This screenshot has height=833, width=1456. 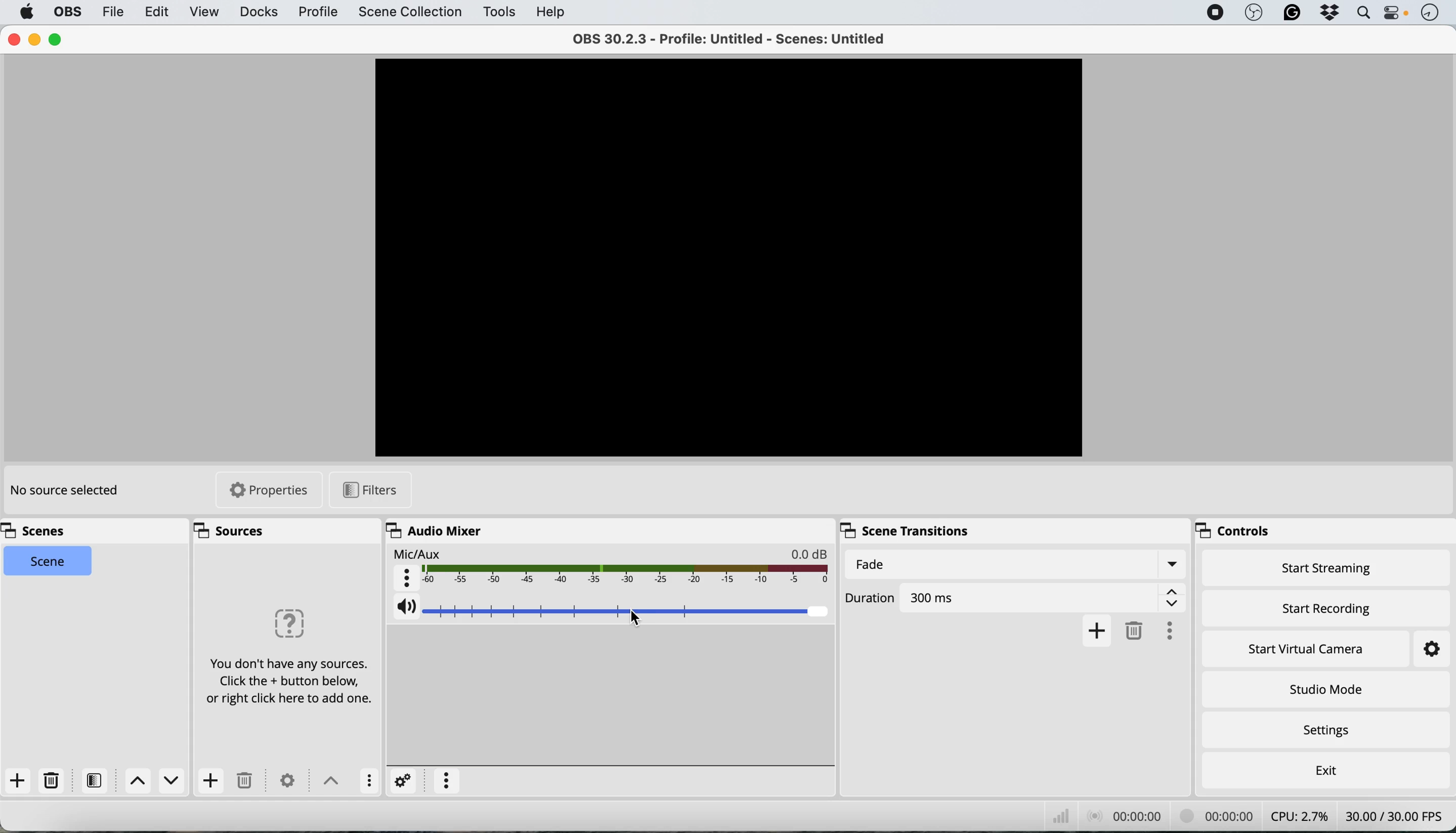 What do you see at coordinates (1304, 817) in the screenshot?
I see `cpu usage - CPU: 2.7%` at bounding box center [1304, 817].